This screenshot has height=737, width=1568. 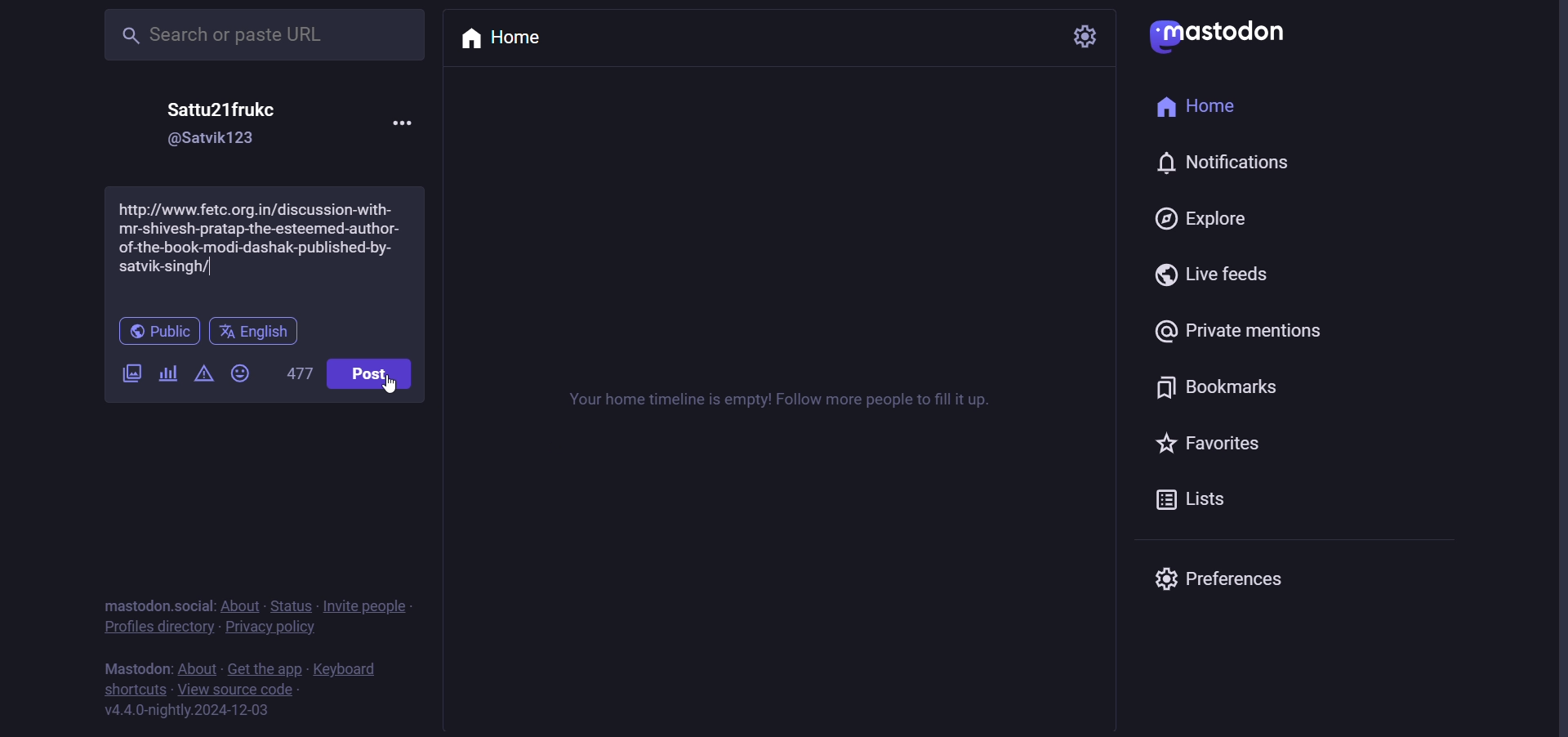 What do you see at coordinates (127, 369) in the screenshot?
I see `image/video` at bounding box center [127, 369].